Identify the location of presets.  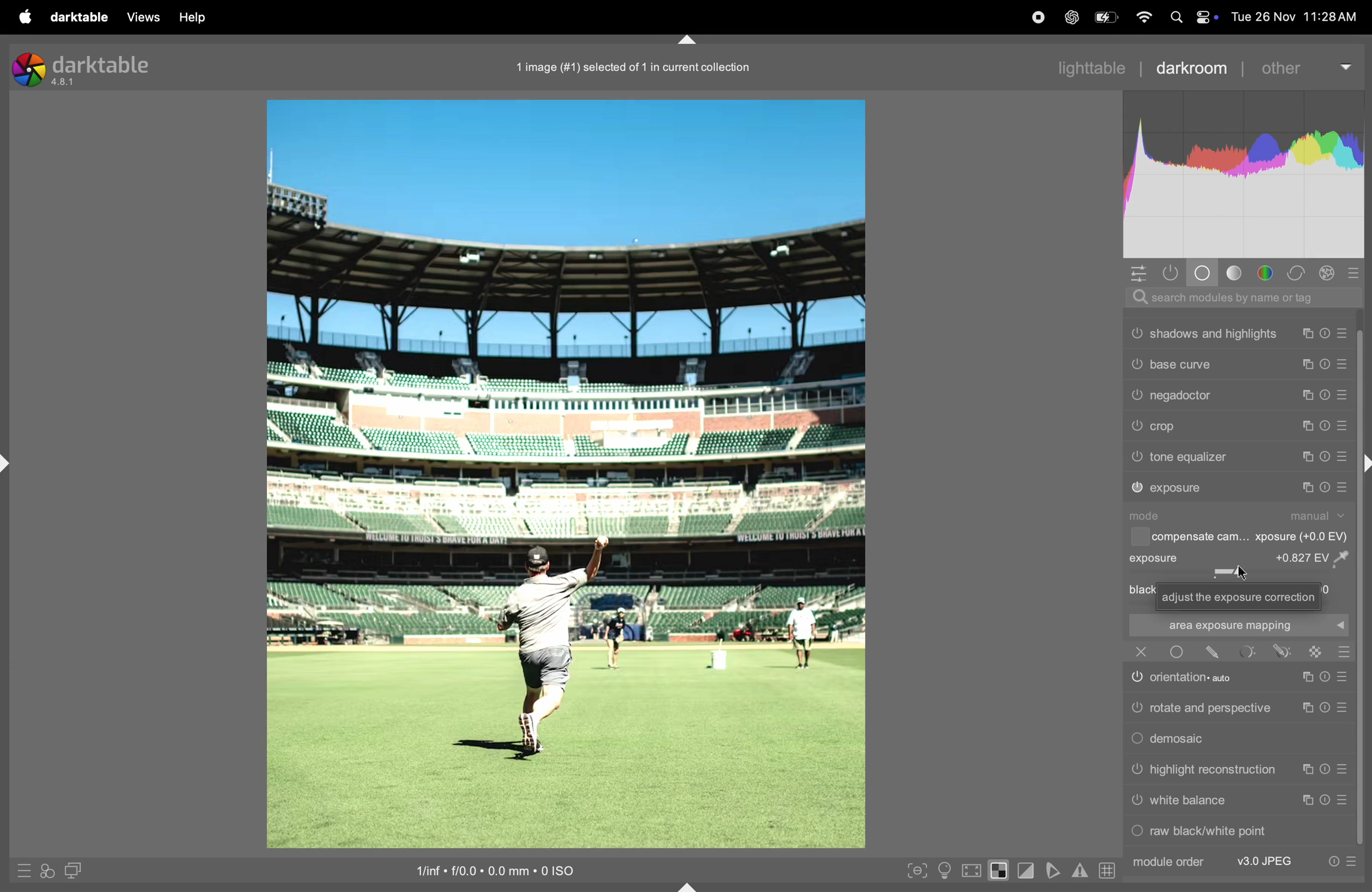
(1356, 272).